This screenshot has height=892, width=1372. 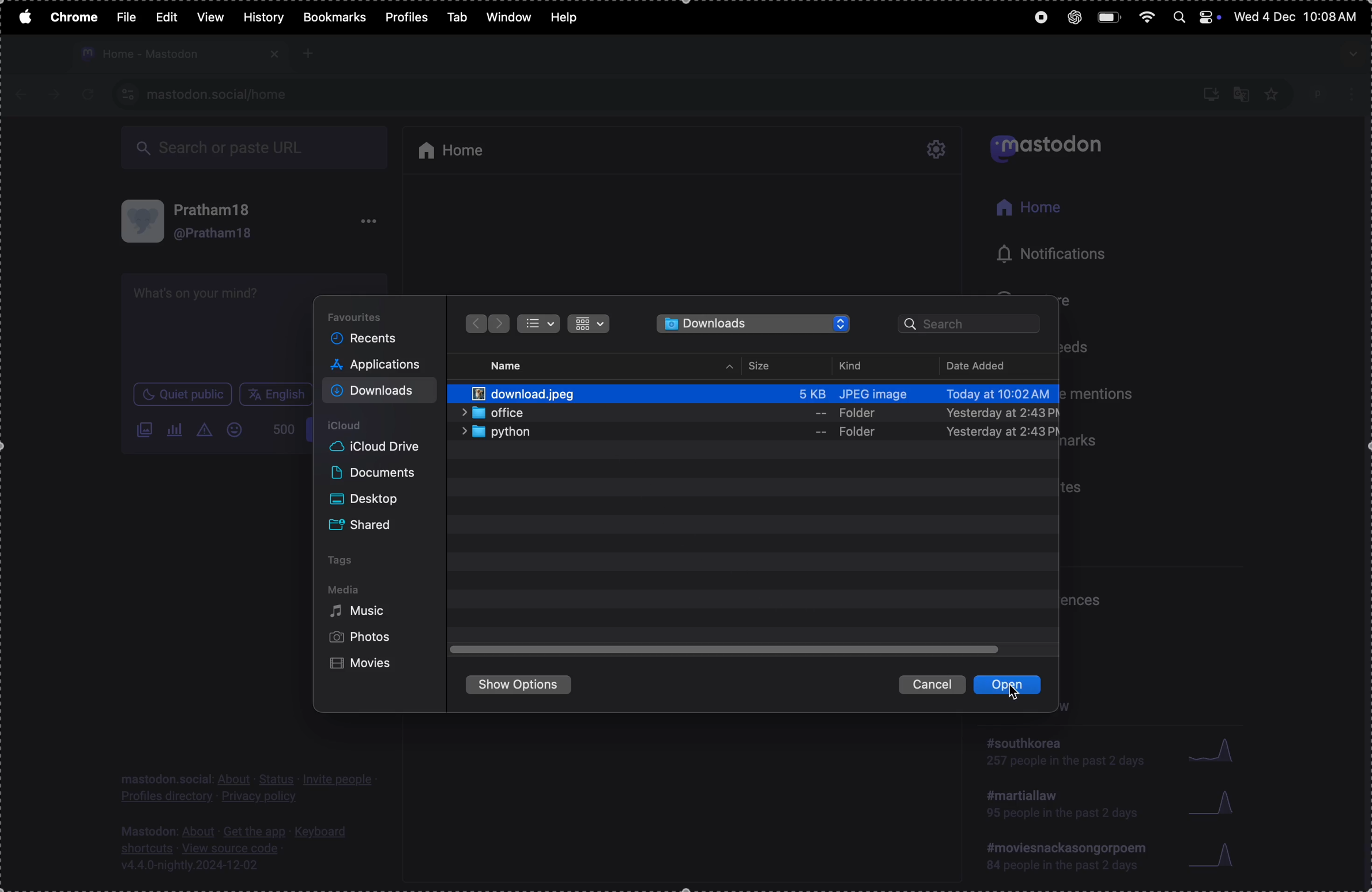 What do you see at coordinates (1013, 687) in the screenshot?
I see `open` at bounding box center [1013, 687].